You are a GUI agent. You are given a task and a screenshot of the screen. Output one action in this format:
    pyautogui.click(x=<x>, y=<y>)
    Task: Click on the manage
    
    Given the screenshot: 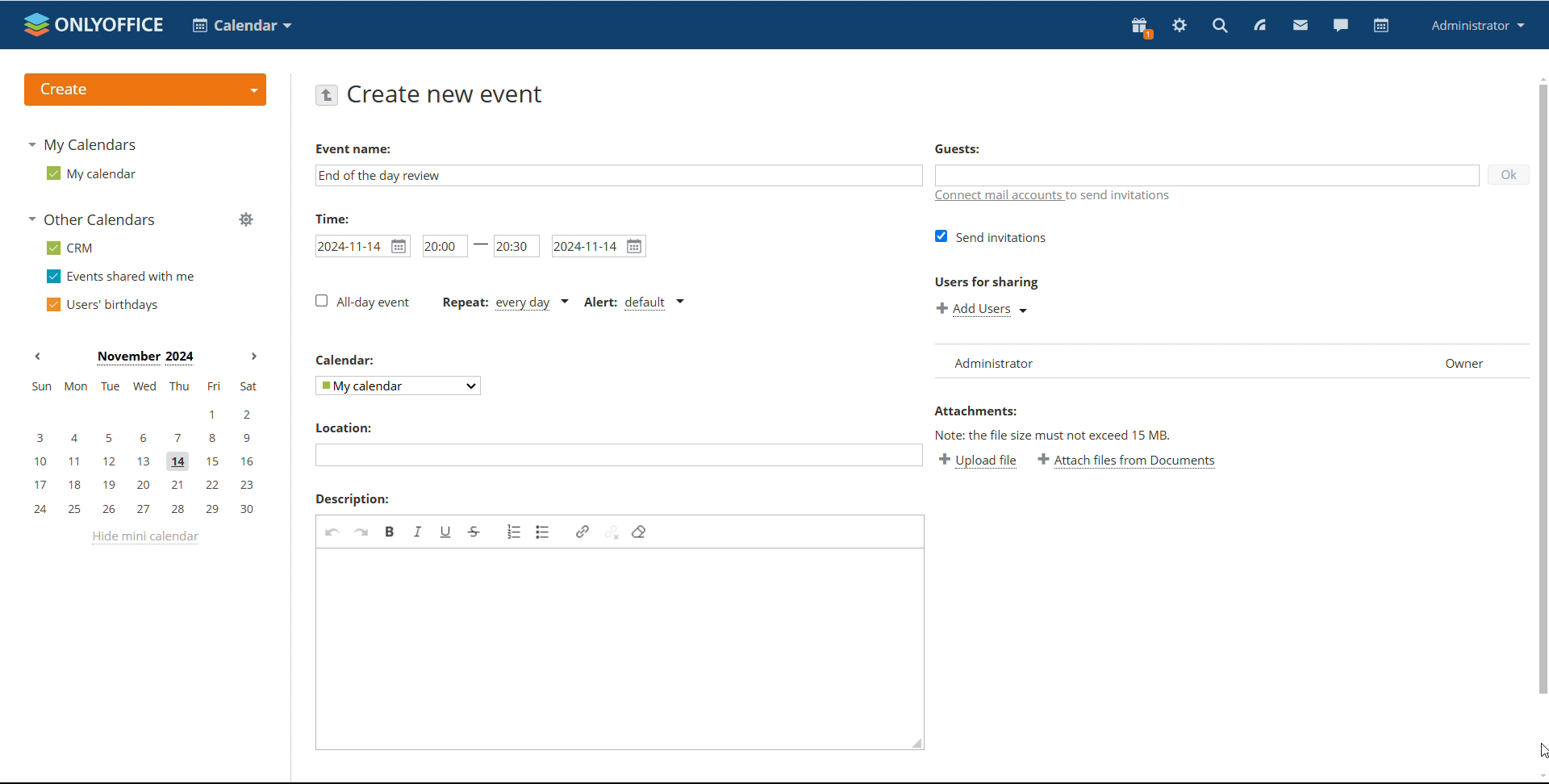 What is the action you would take?
    pyautogui.click(x=247, y=221)
    